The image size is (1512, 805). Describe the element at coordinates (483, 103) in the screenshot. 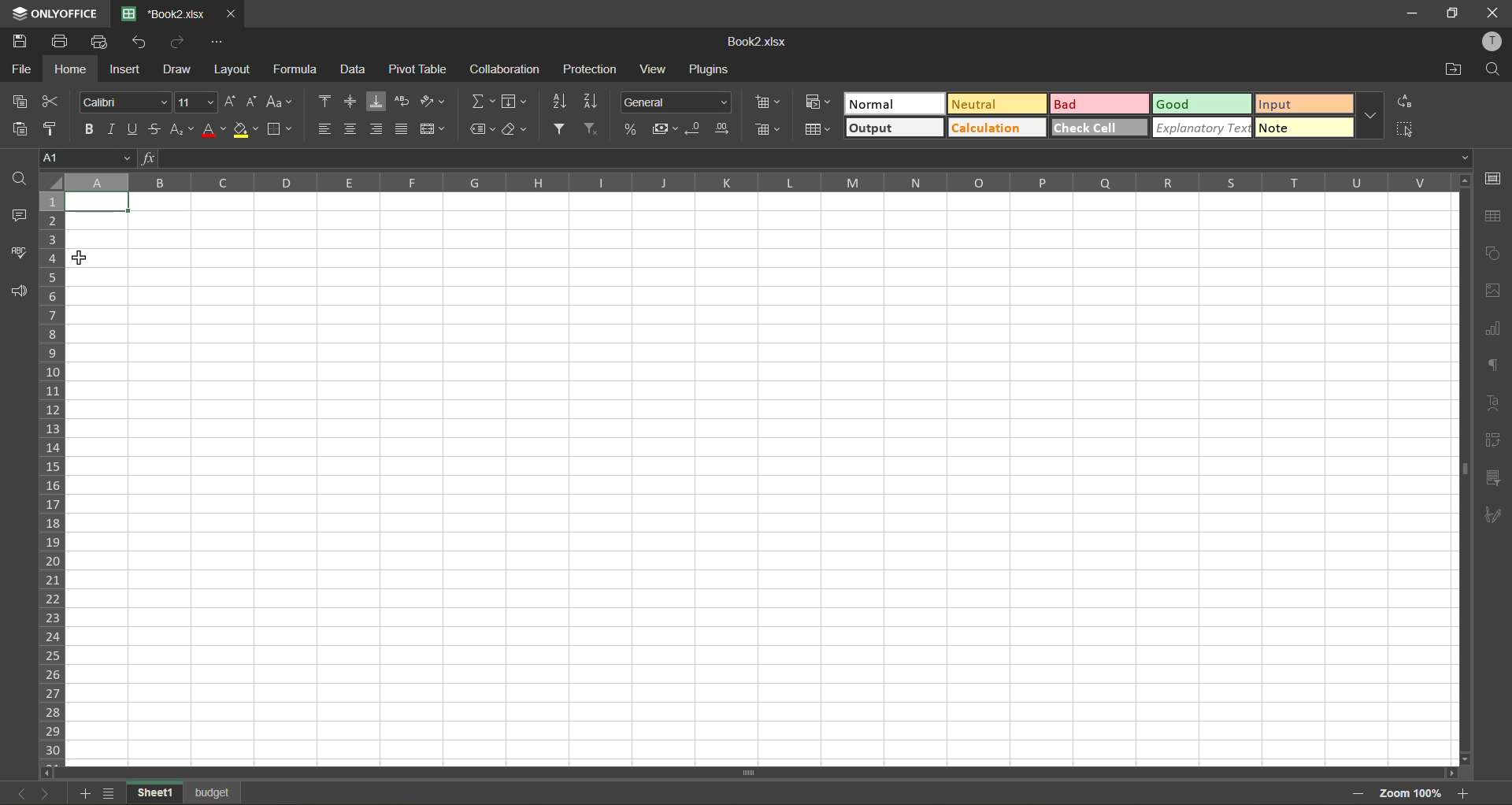

I see `summation` at that location.